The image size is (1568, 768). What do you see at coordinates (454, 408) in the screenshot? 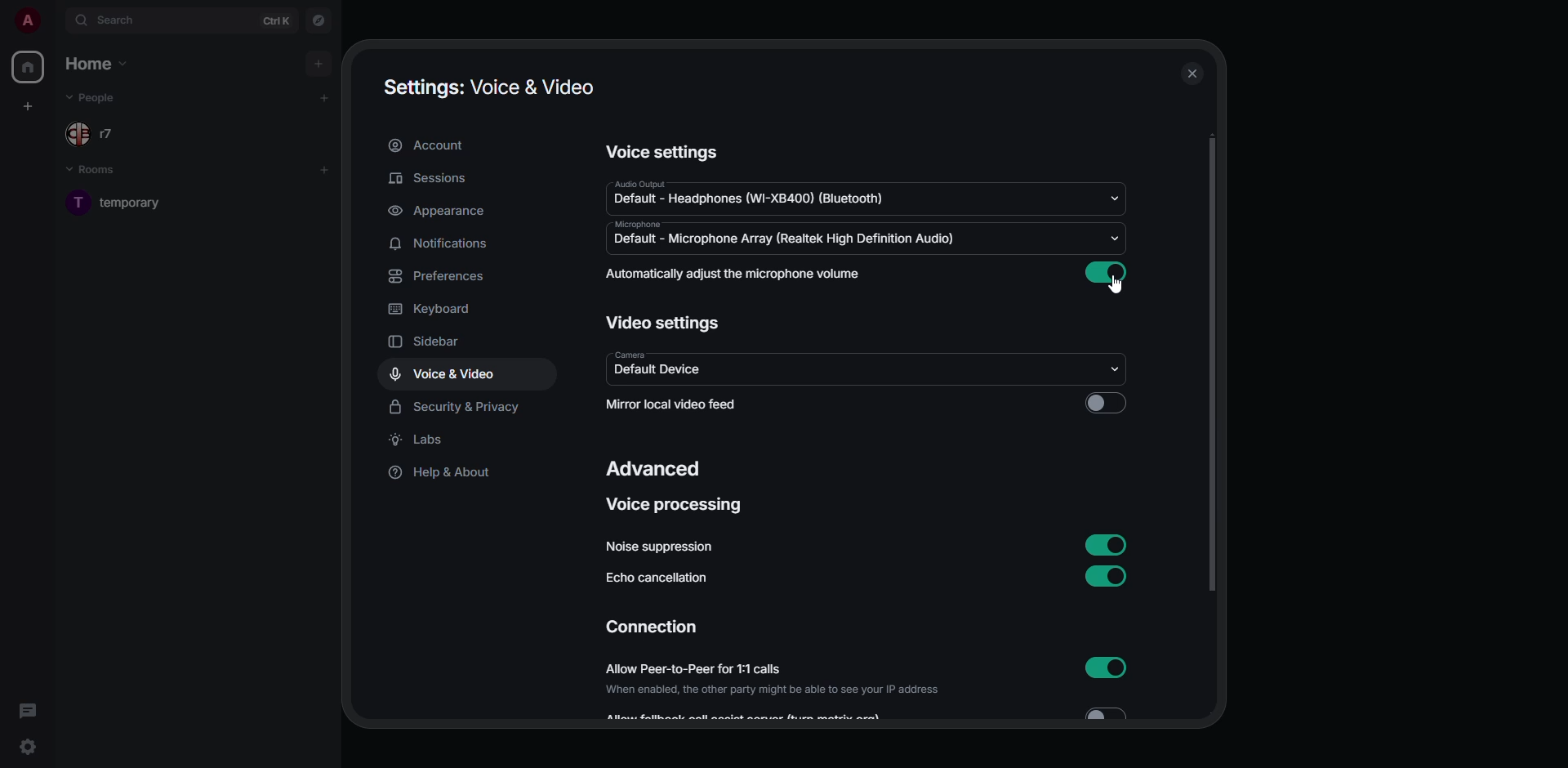
I see `security & privacy` at bounding box center [454, 408].